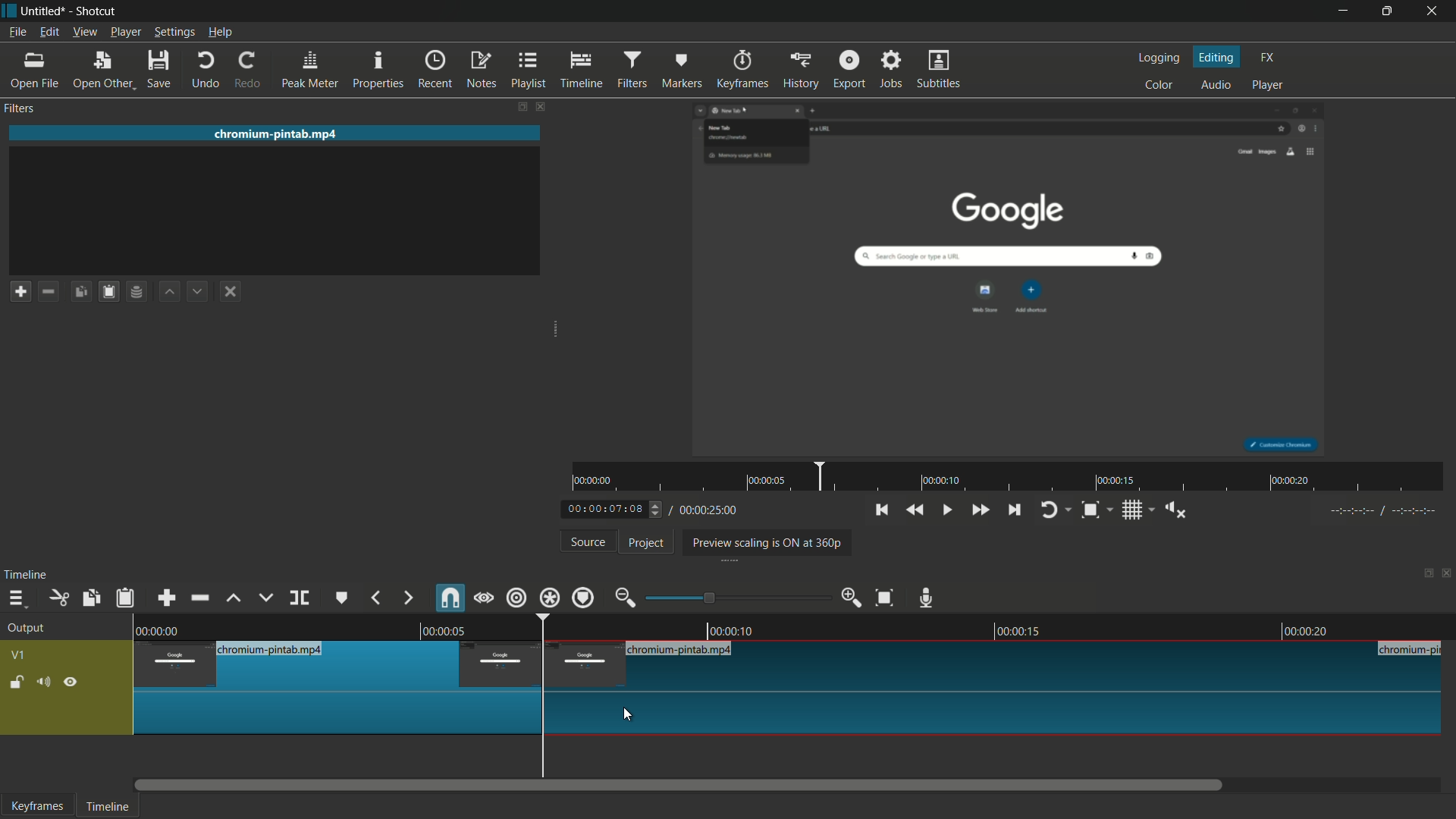 Image resolution: width=1456 pixels, height=819 pixels. What do you see at coordinates (733, 628) in the screenshot?
I see `0.0010` at bounding box center [733, 628].